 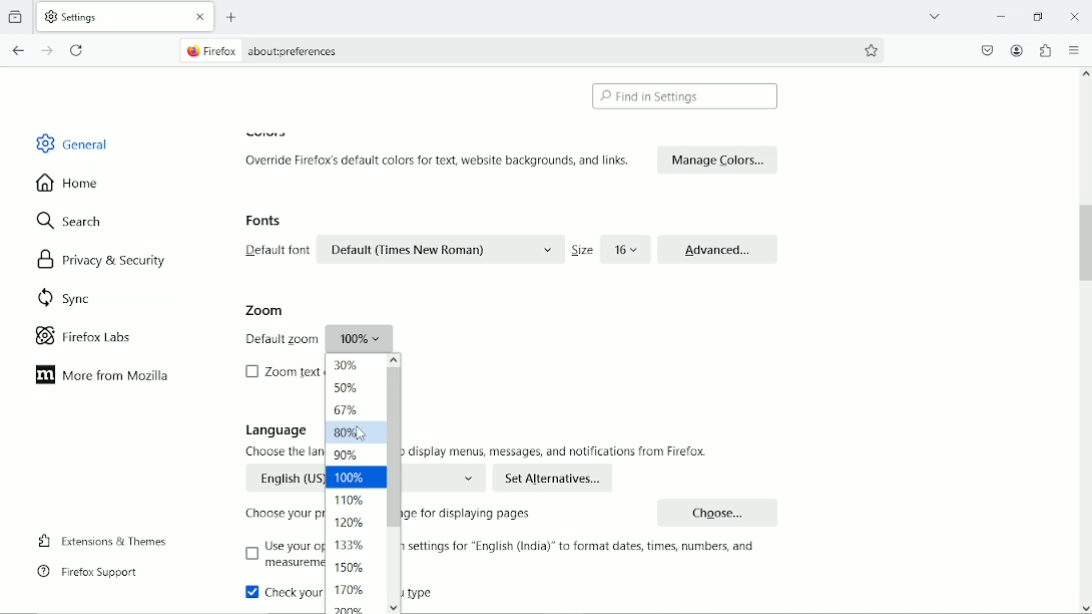 I want to click on Extensions & themes, so click(x=102, y=540).